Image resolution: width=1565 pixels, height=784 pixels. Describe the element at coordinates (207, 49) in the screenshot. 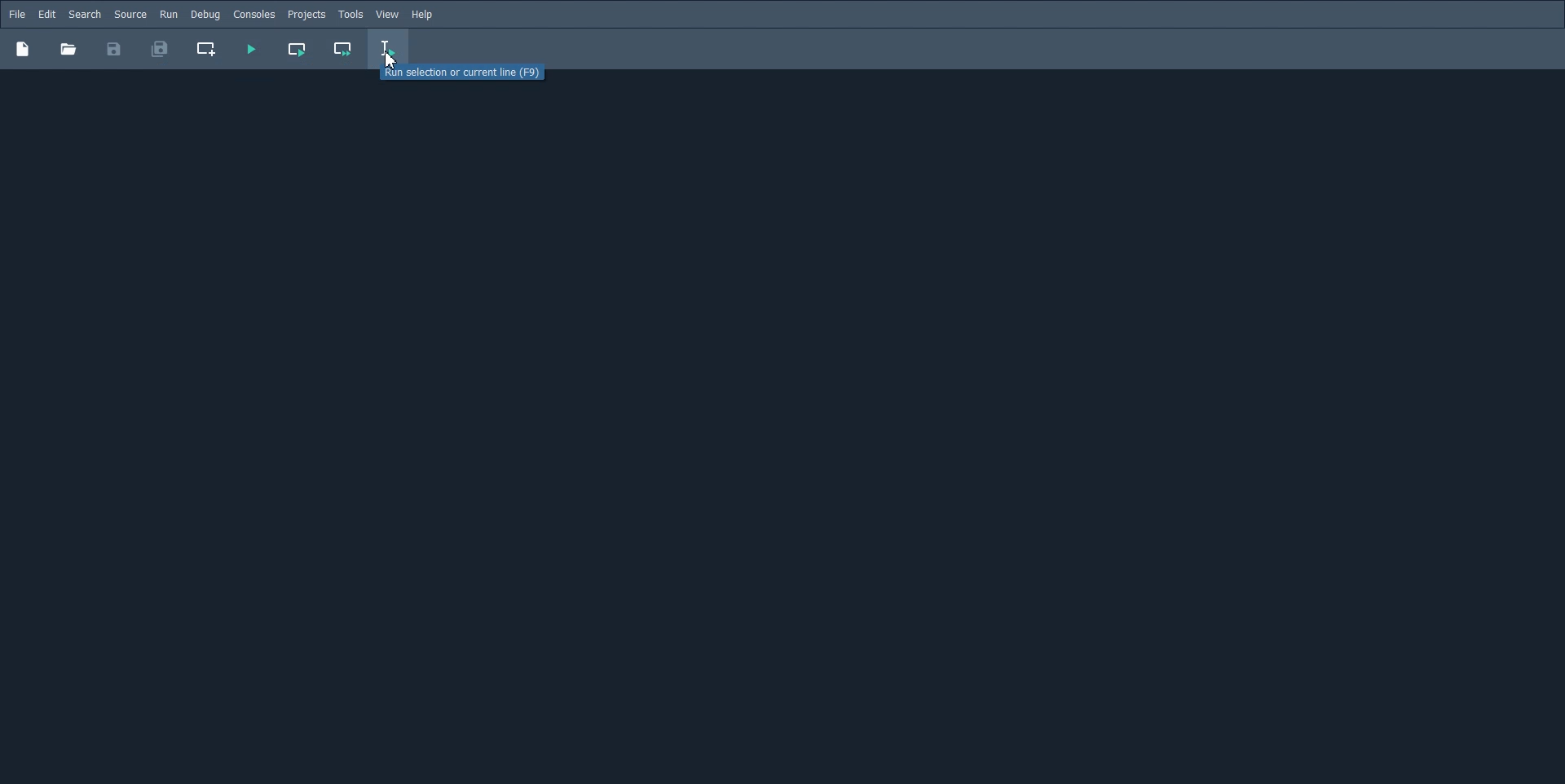

I see `Create new cell` at that location.